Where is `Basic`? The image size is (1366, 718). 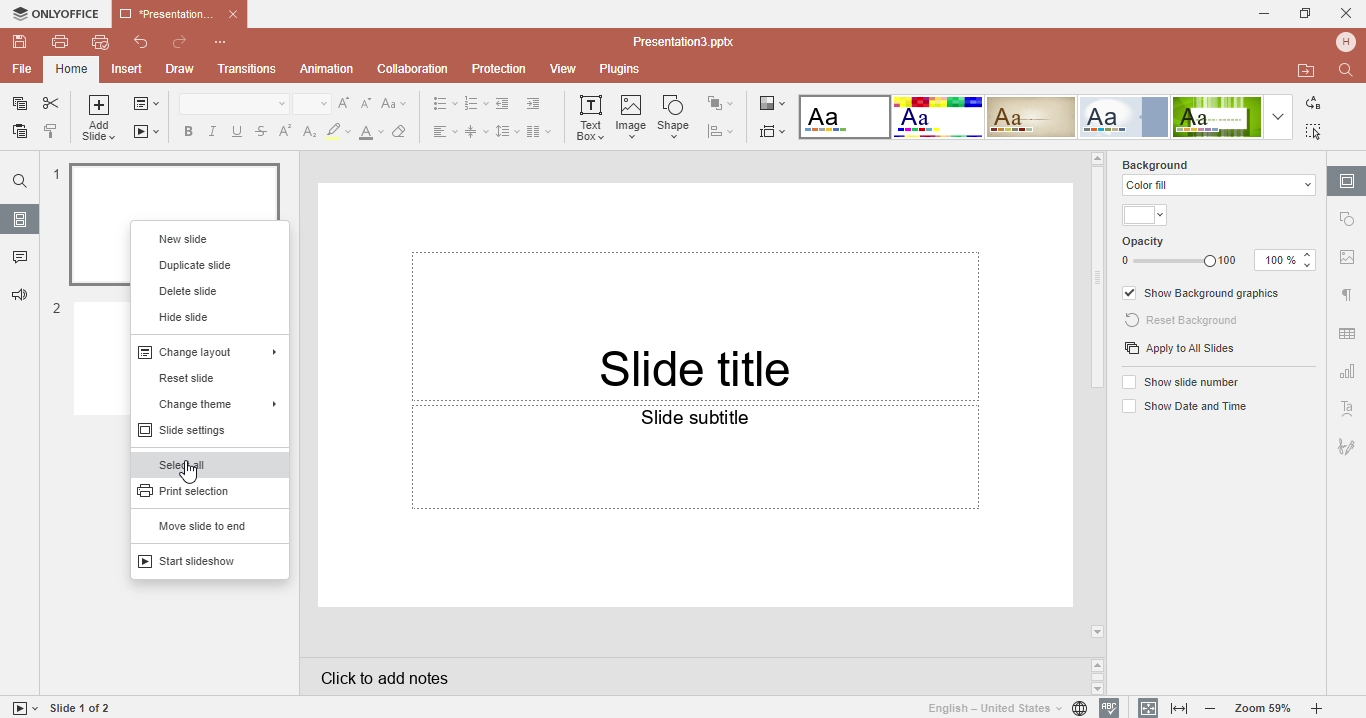
Basic is located at coordinates (937, 117).